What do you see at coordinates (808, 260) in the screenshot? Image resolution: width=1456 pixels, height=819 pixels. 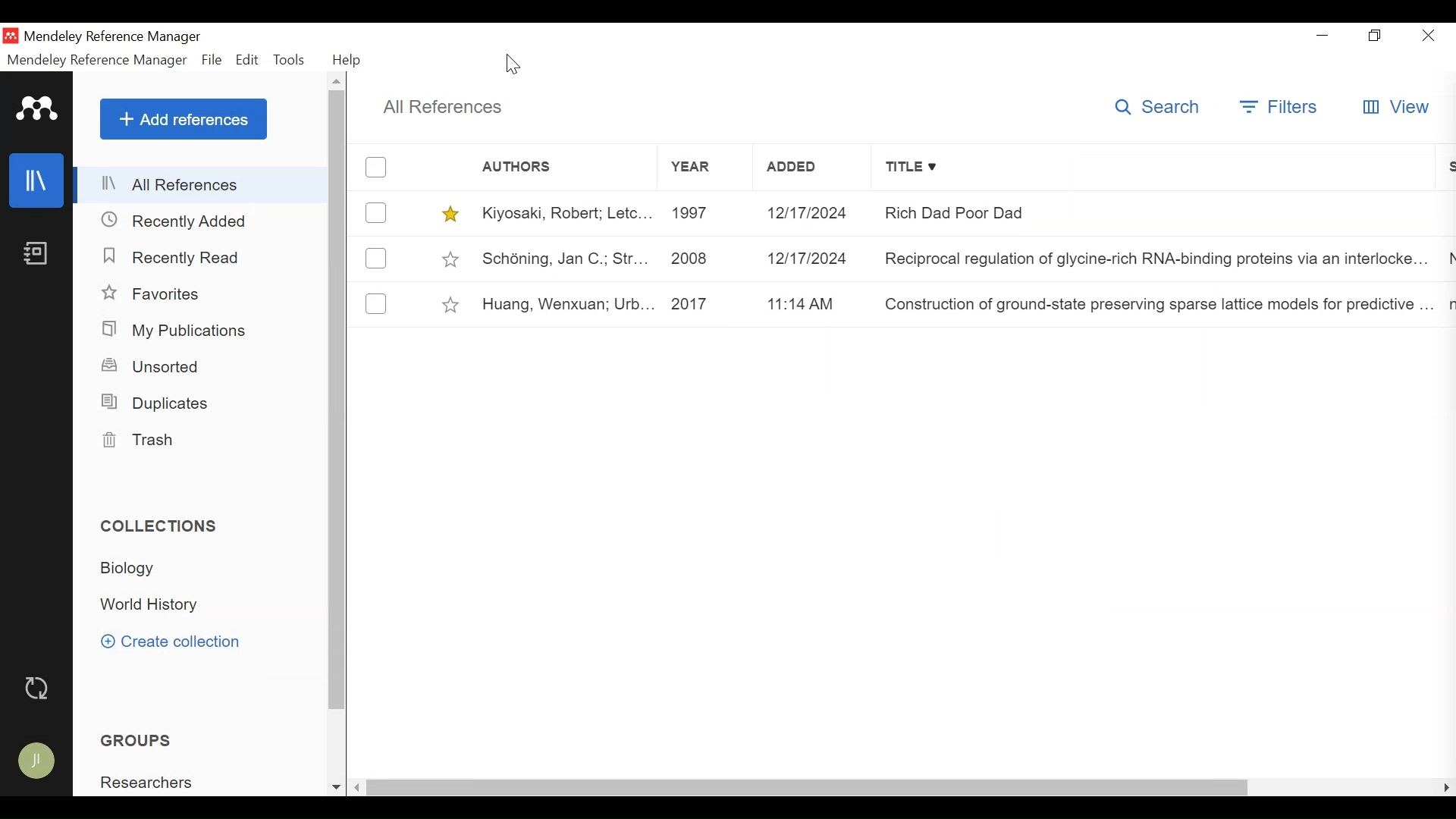 I see `12/17/2024` at bounding box center [808, 260].